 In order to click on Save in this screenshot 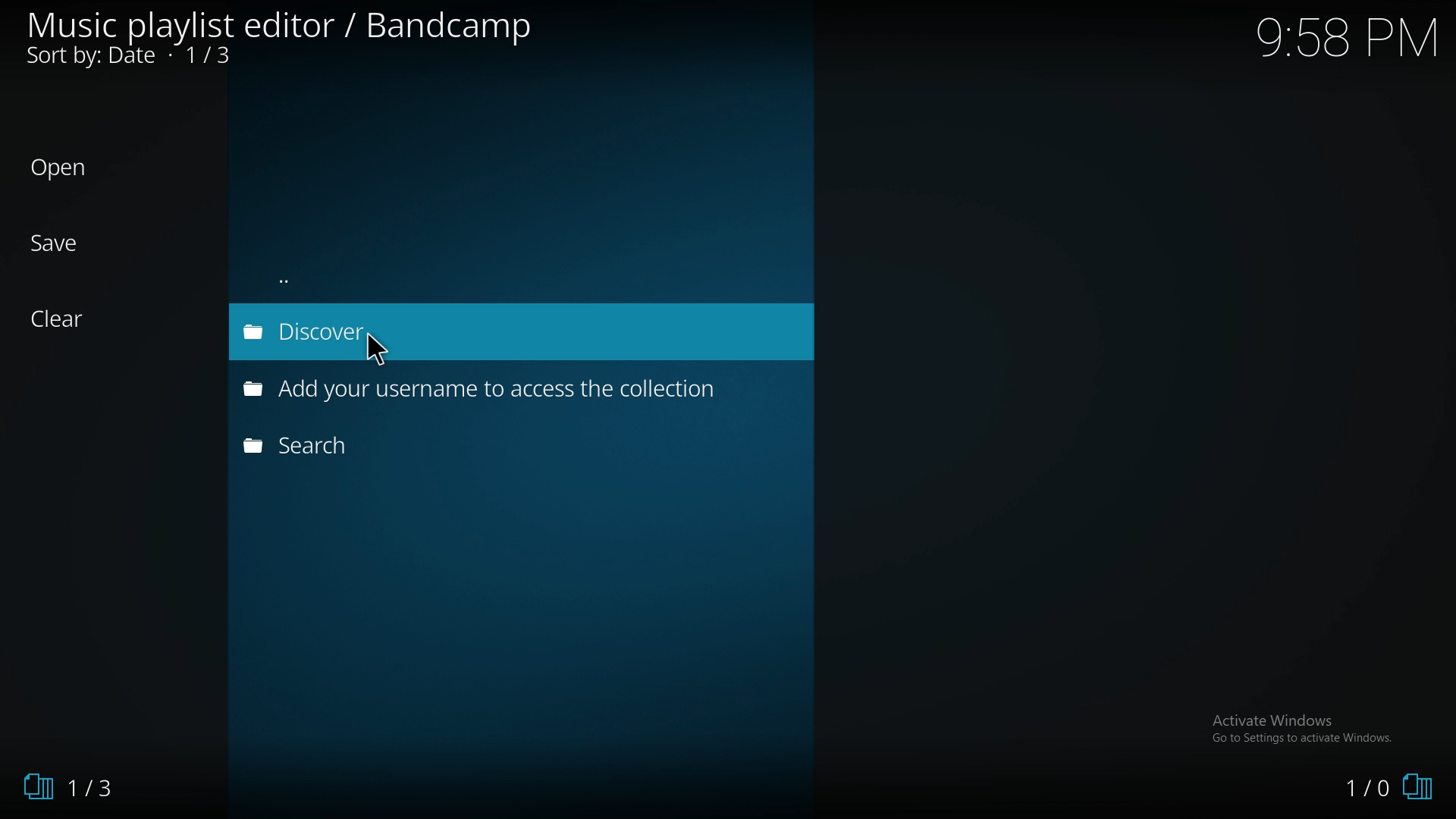, I will do `click(57, 243)`.